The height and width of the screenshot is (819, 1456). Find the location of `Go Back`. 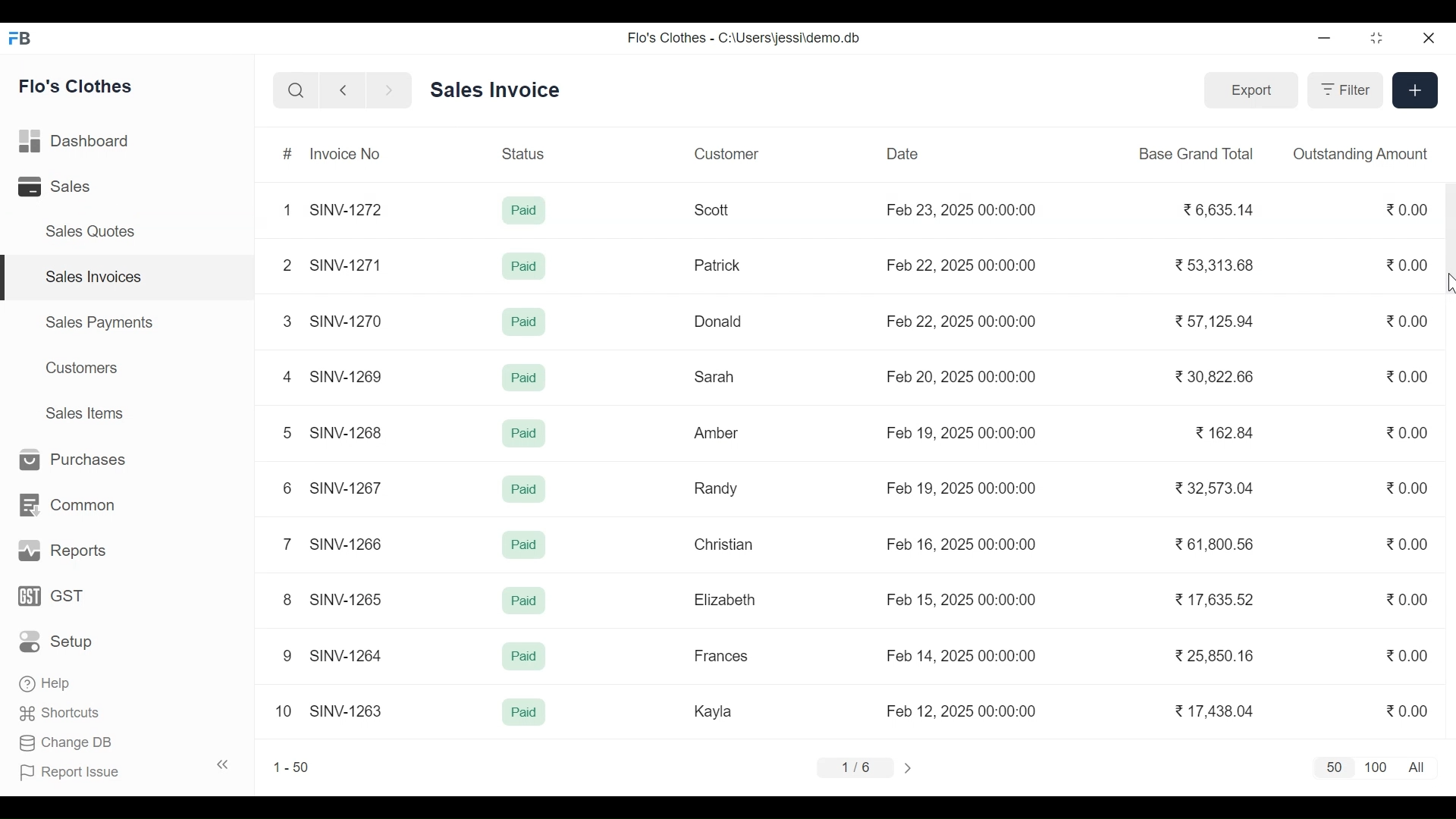

Go Back is located at coordinates (343, 91).